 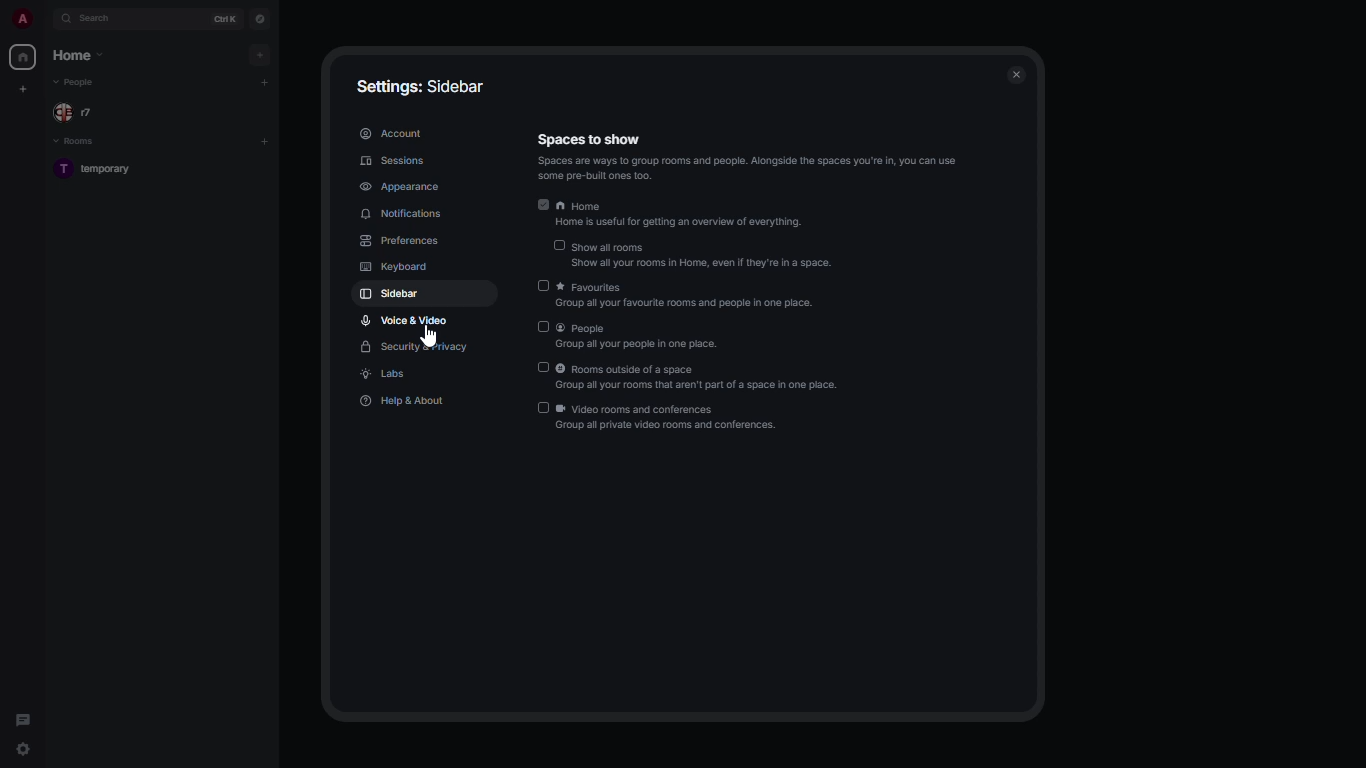 What do you see at coordinates (688, 217) in the screenshot?
I see `home` at bounding box center [688, 217].